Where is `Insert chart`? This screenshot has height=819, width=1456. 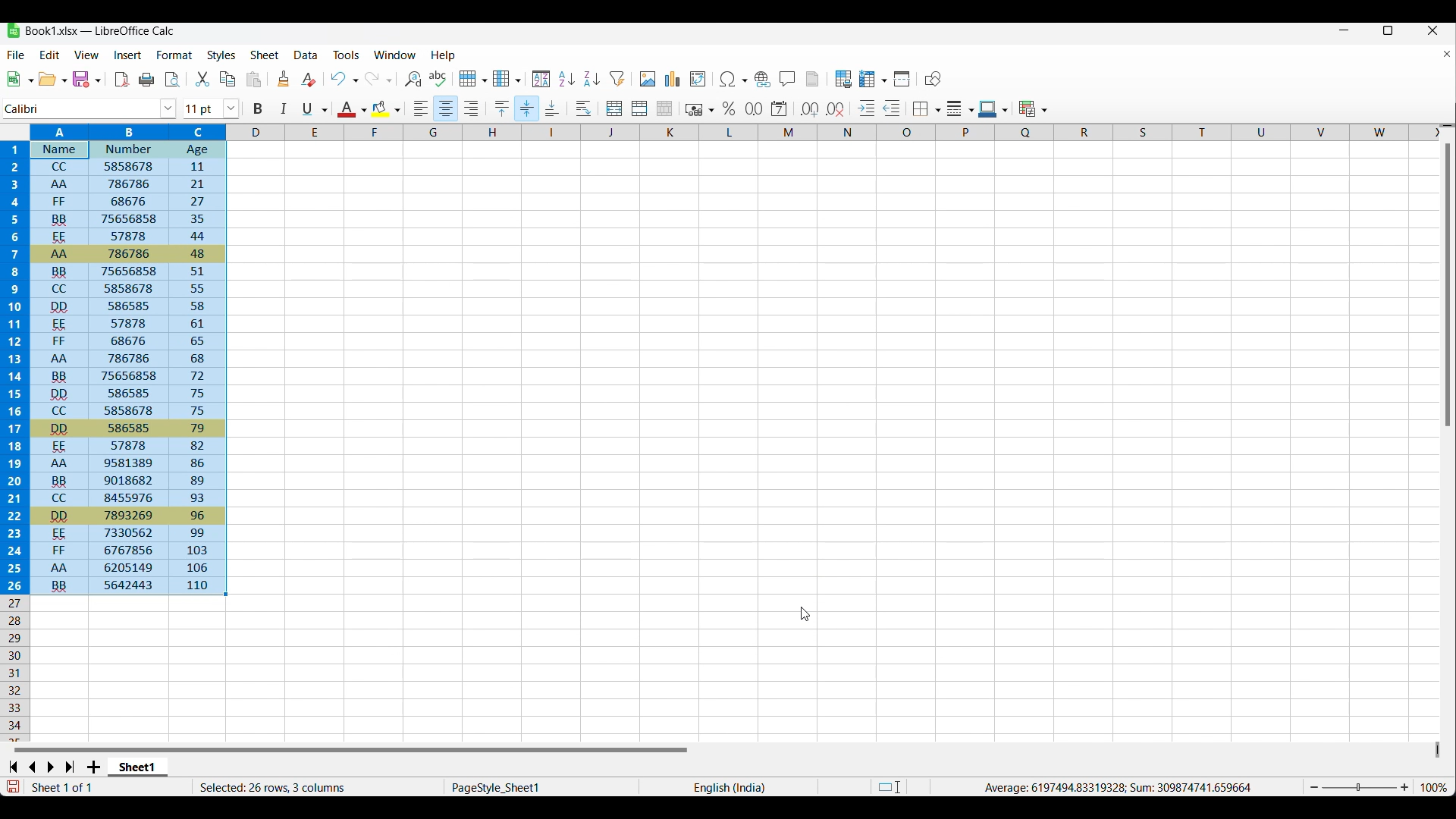
Insert chart is located at coordinates (673, 79).